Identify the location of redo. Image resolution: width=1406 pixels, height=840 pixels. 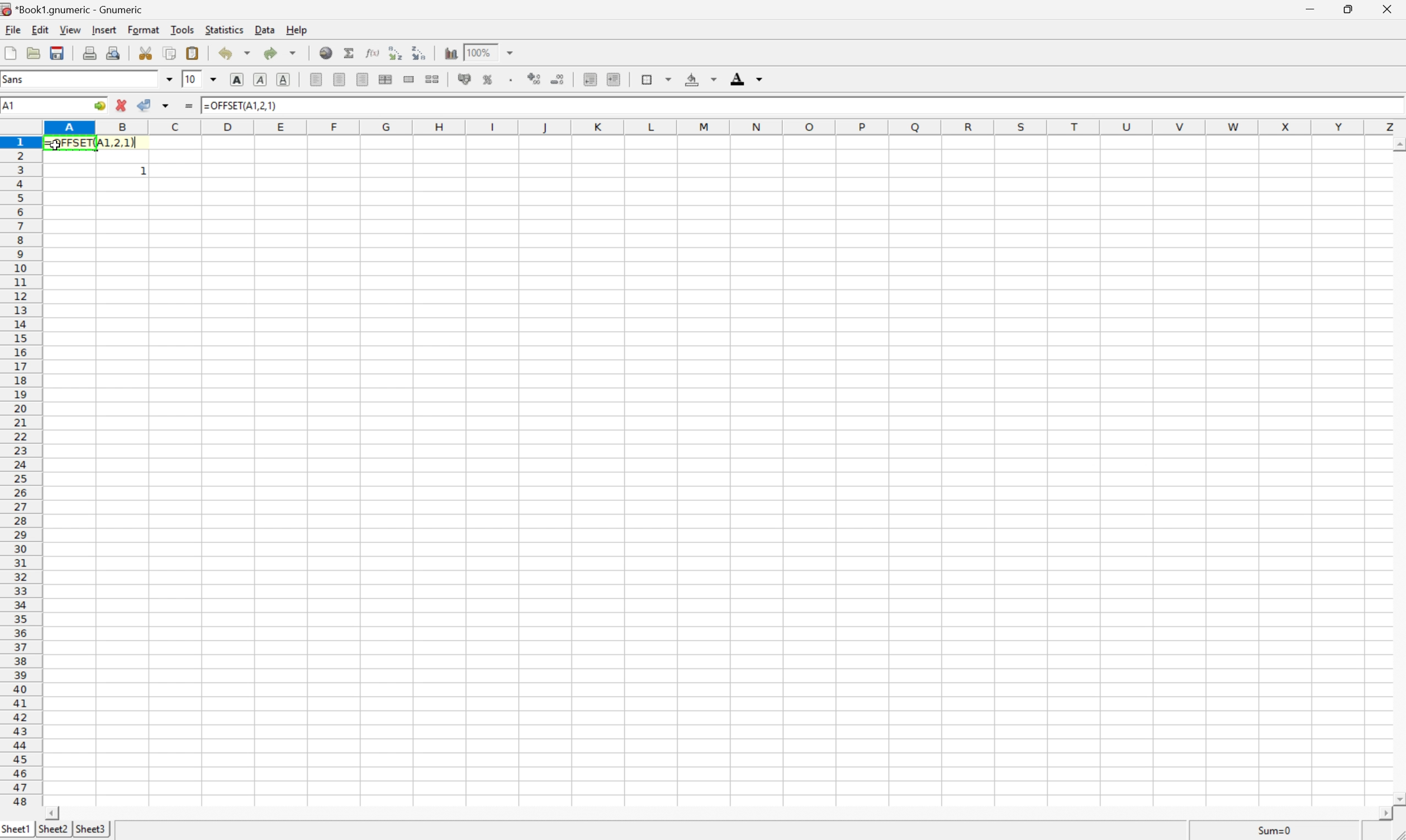
(281, 53).